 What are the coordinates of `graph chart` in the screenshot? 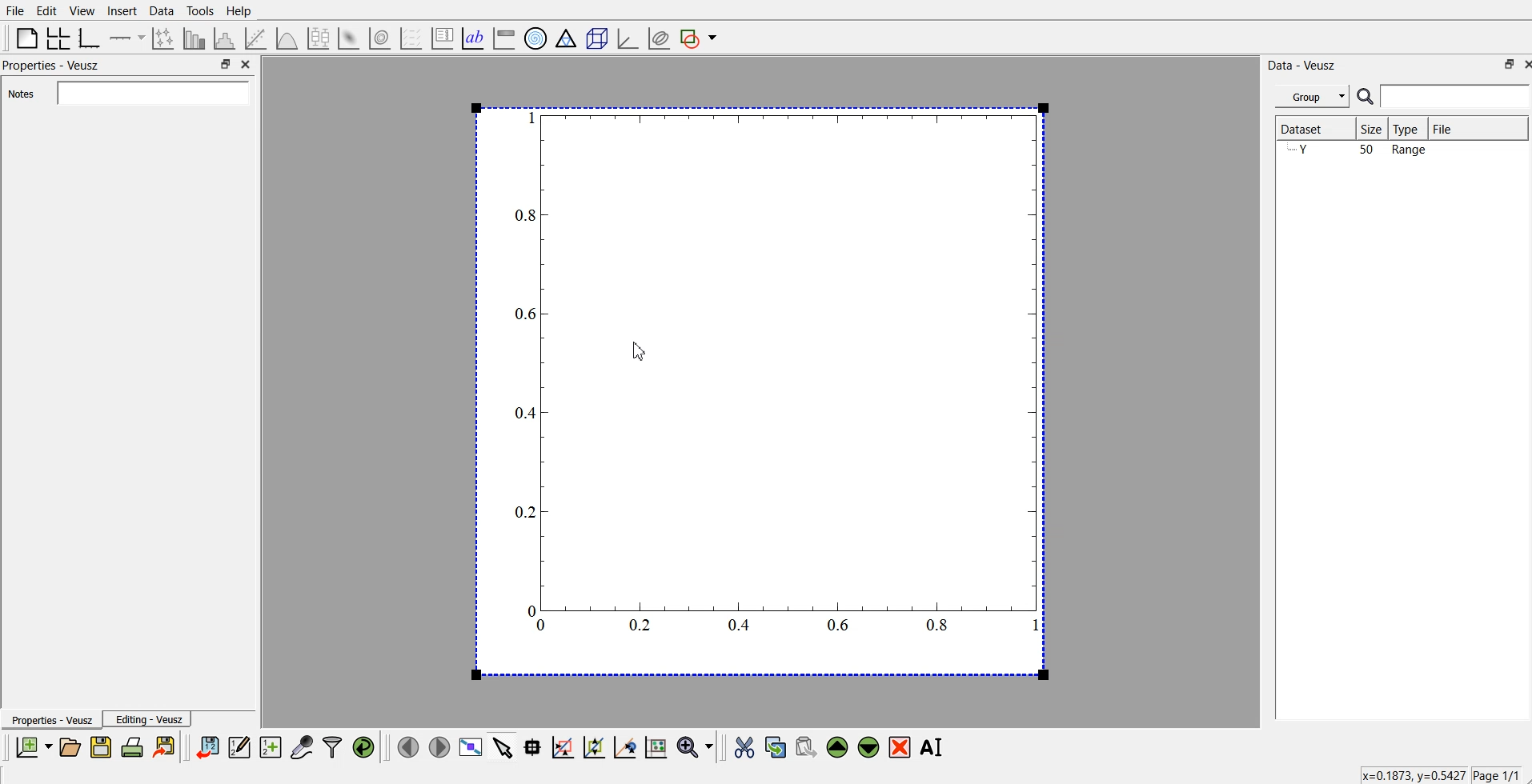 It's located at (761, 390).